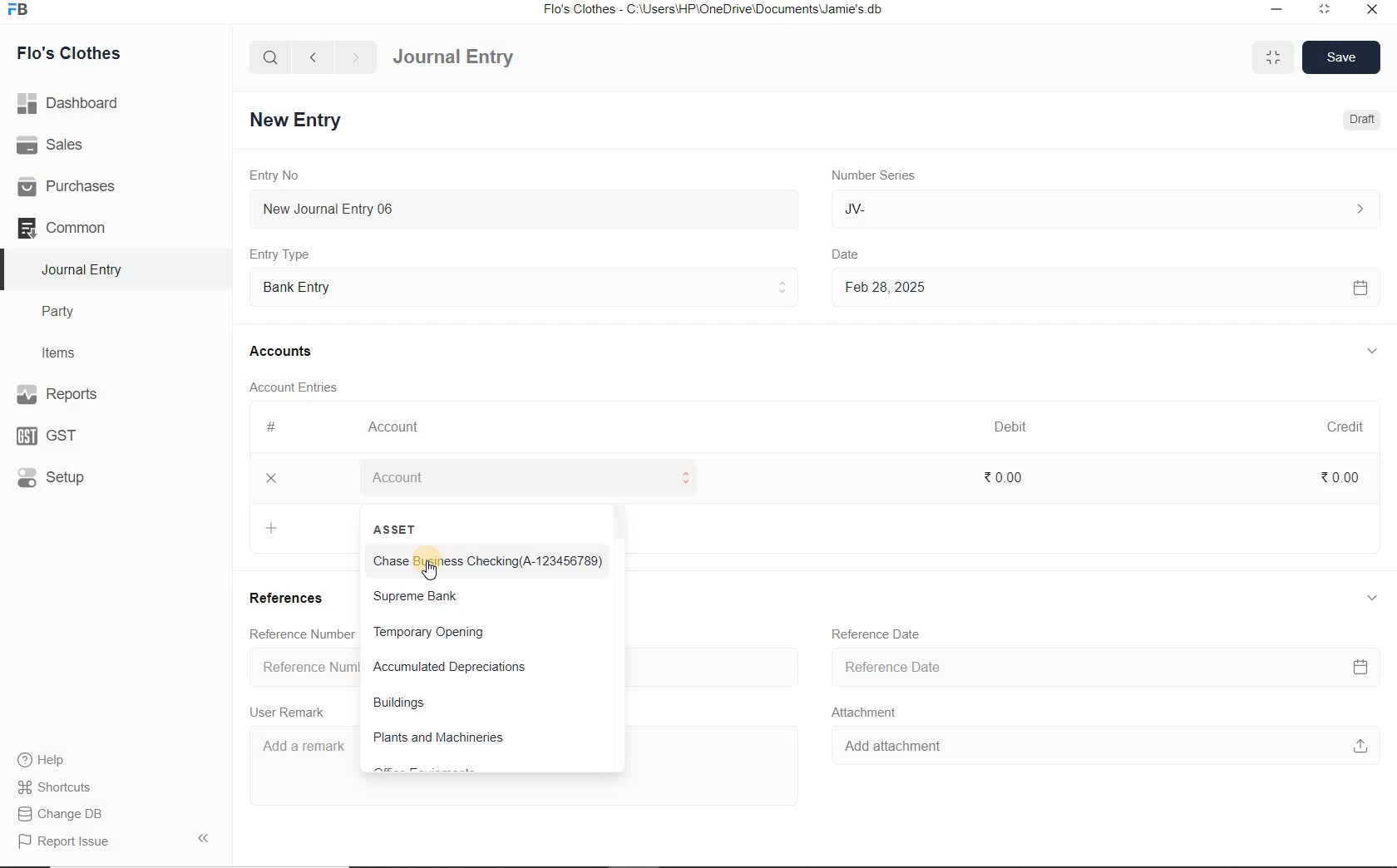 The image size is (1397, 868). Describe the element at coordinates (879, 635) in the screenshot. I see `Reference Date` at that location.